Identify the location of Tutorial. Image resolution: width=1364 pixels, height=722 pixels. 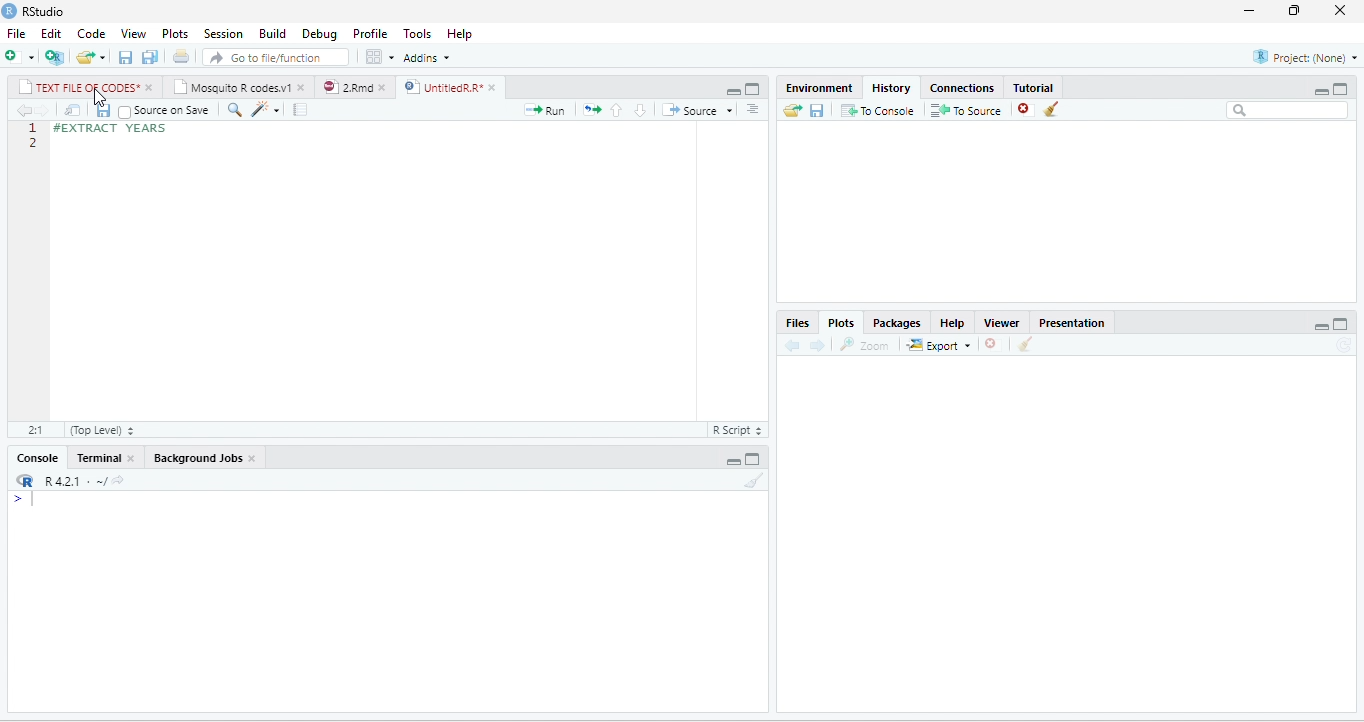
(1034, 88).